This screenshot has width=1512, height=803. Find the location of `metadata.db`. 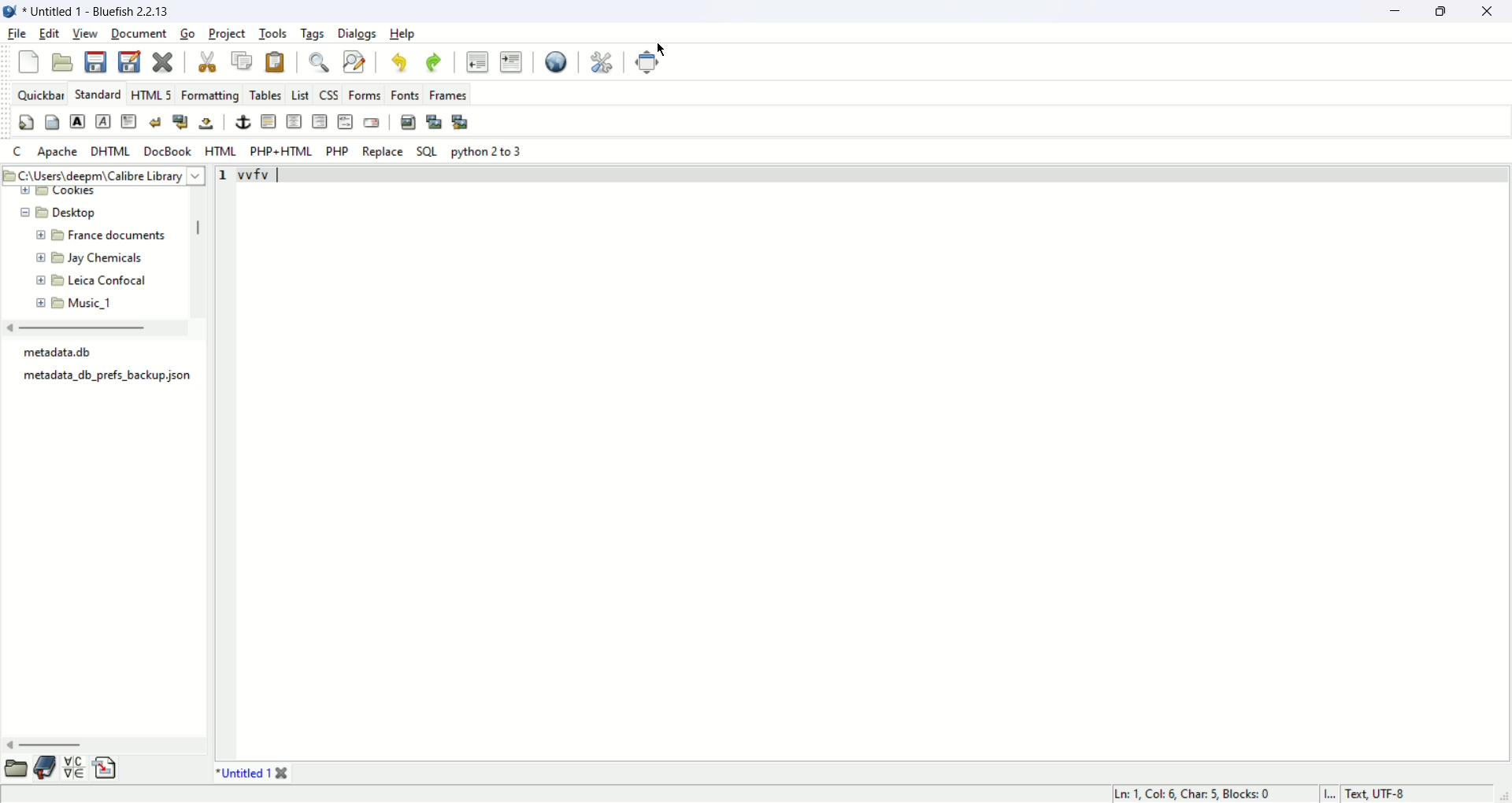

metadata.db is located at coordinates (64, 352).